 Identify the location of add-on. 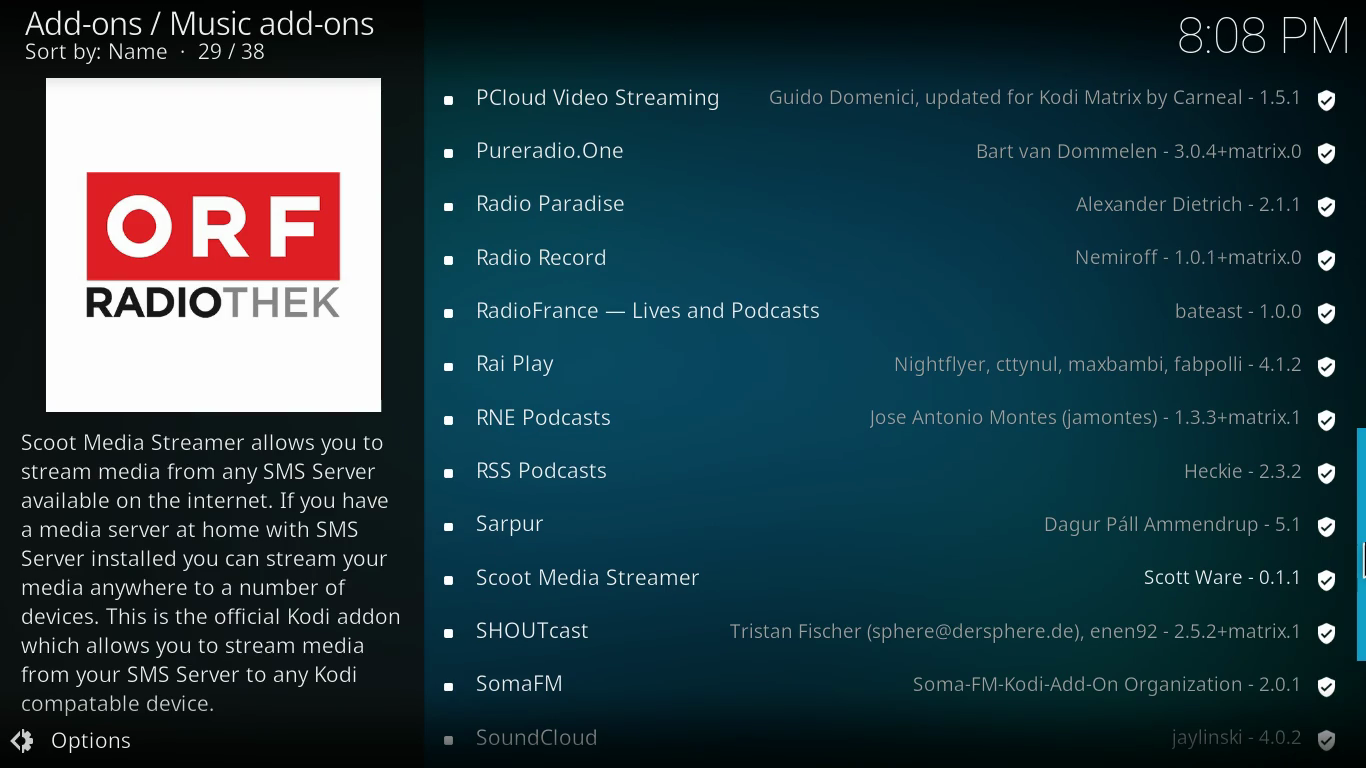
(537, 739).